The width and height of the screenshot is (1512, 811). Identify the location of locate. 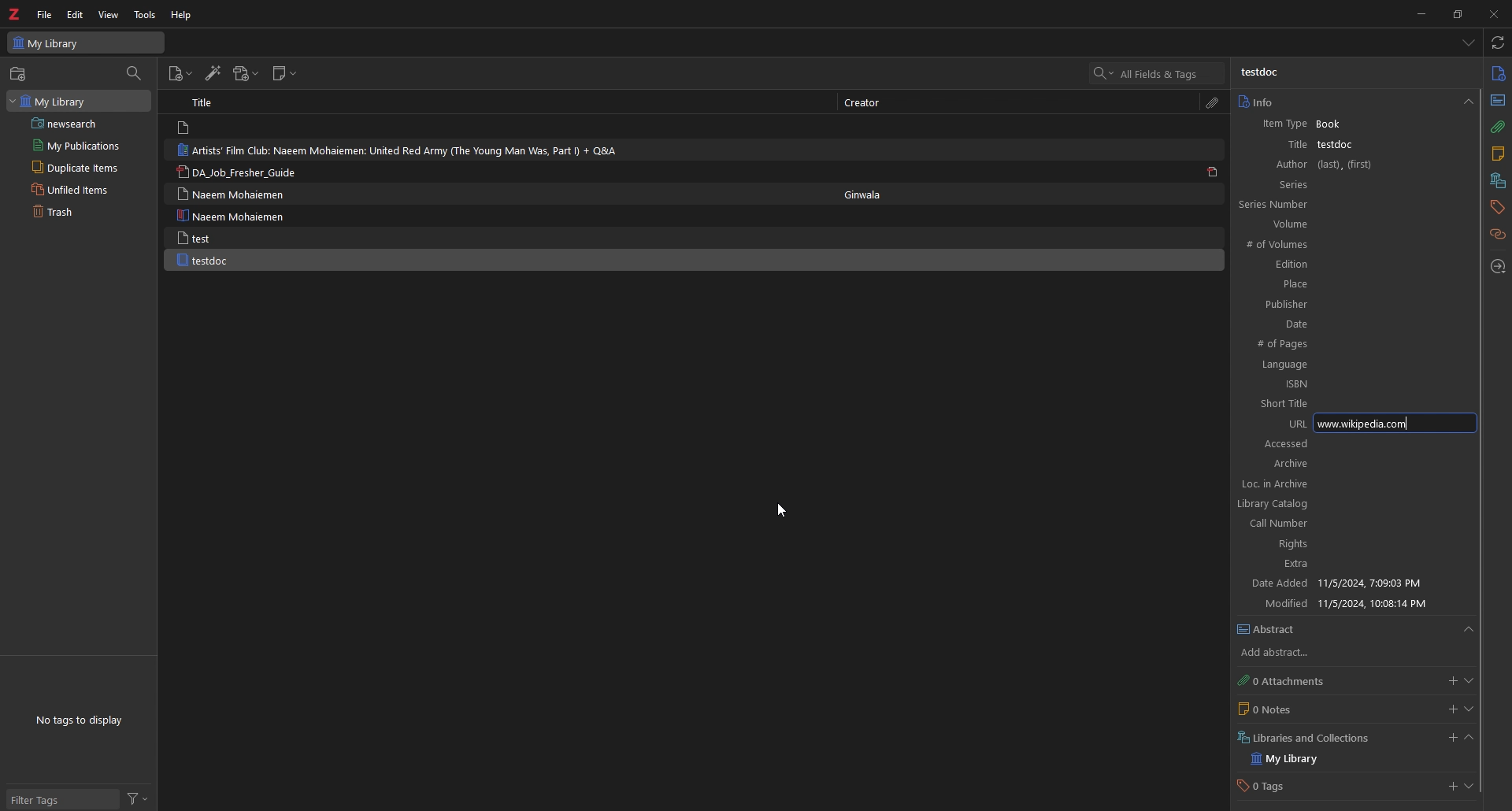
(1497, 267).